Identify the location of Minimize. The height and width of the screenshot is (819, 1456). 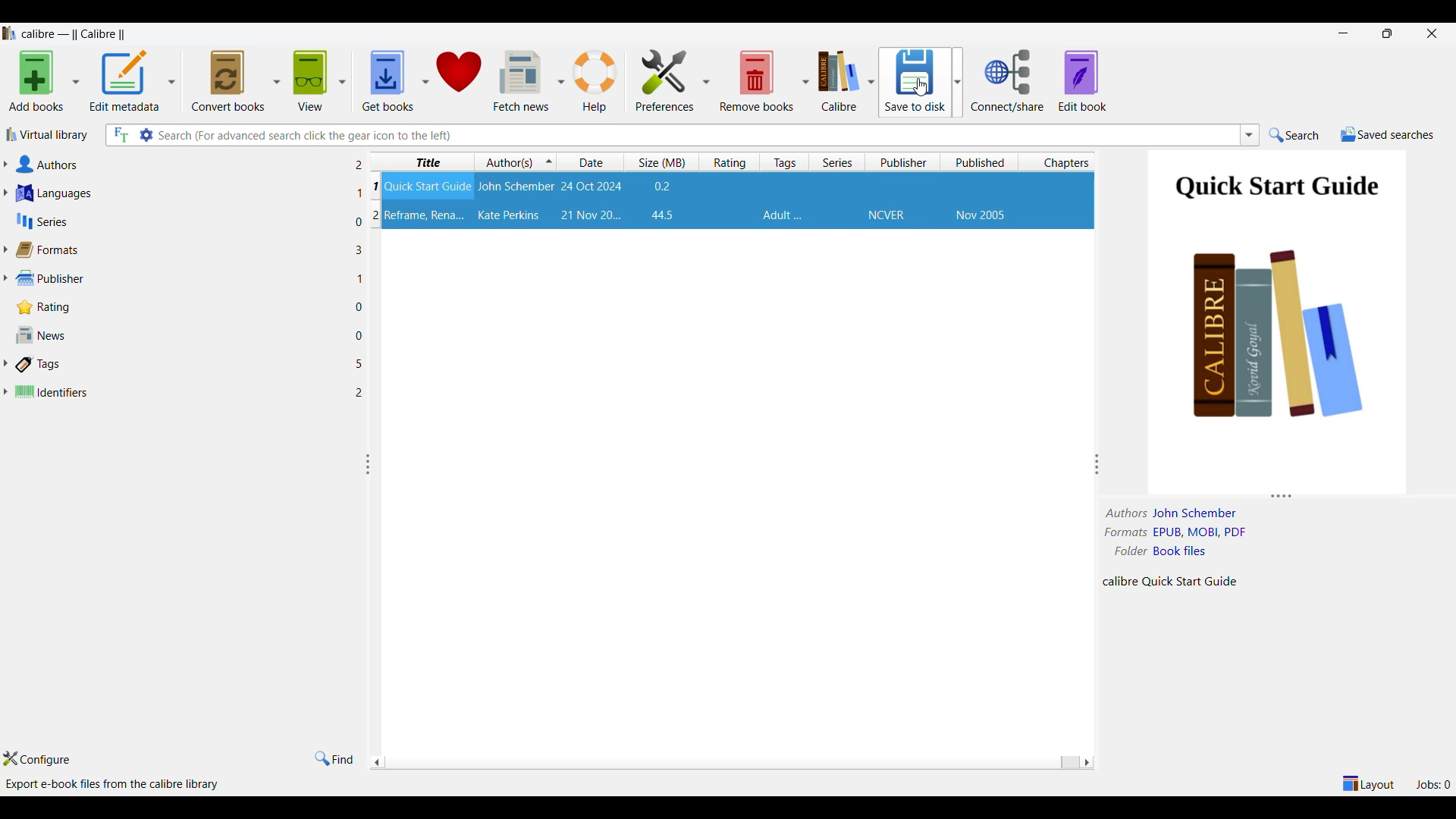
(1343, 33).